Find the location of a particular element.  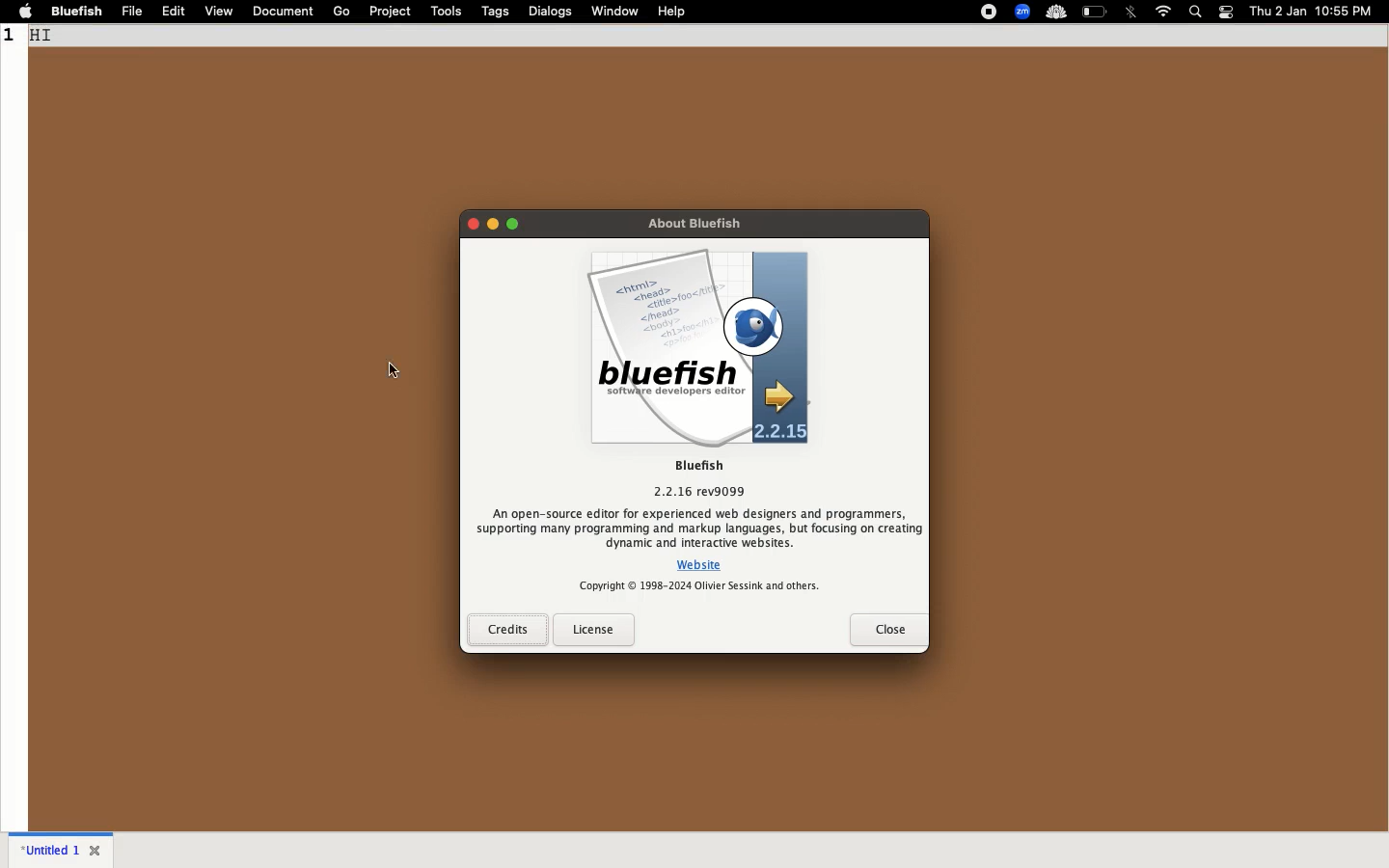

window is located at coordinates (615, 10).